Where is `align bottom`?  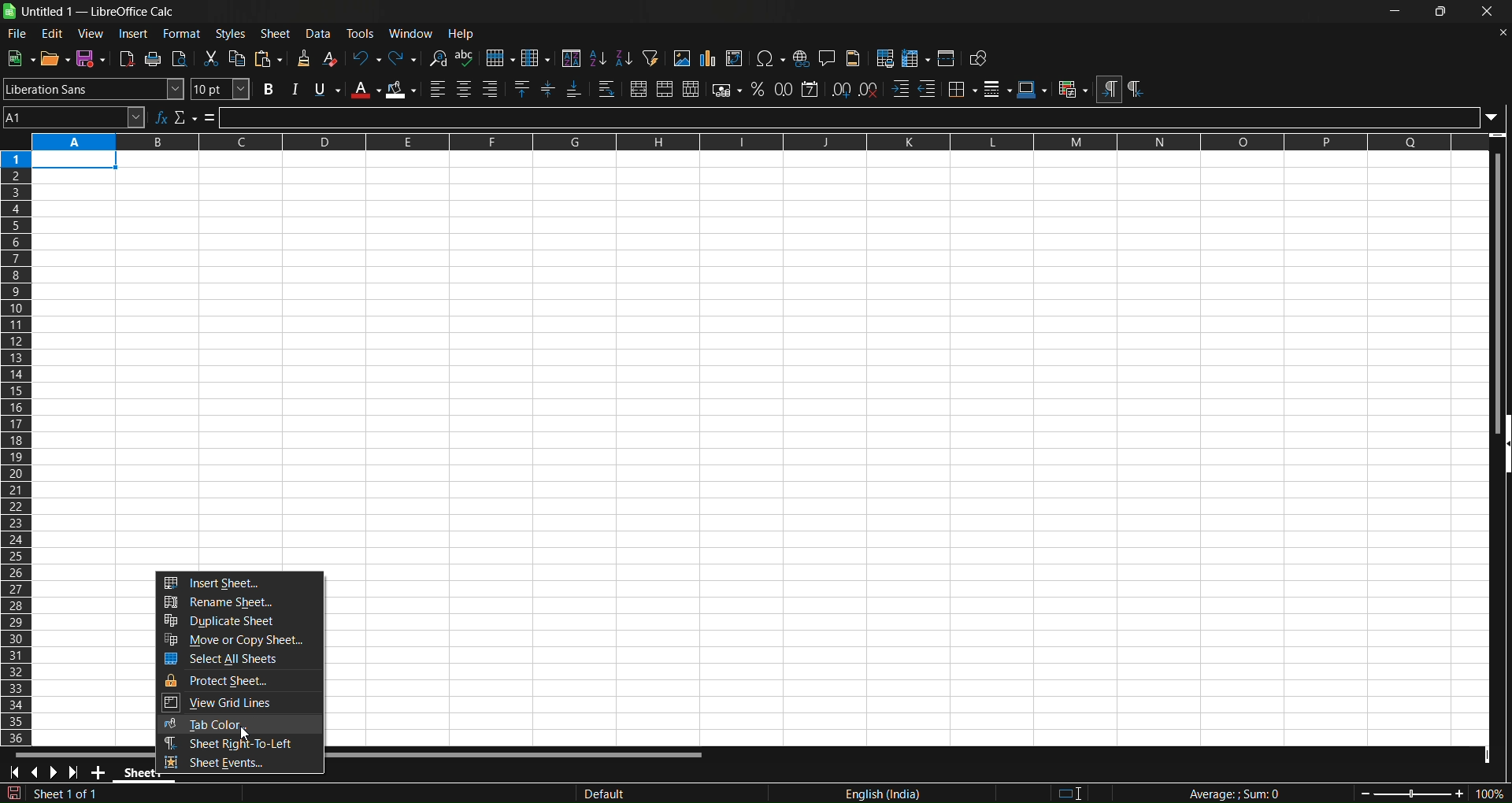
align bottom is located at coordinates (574, 91).